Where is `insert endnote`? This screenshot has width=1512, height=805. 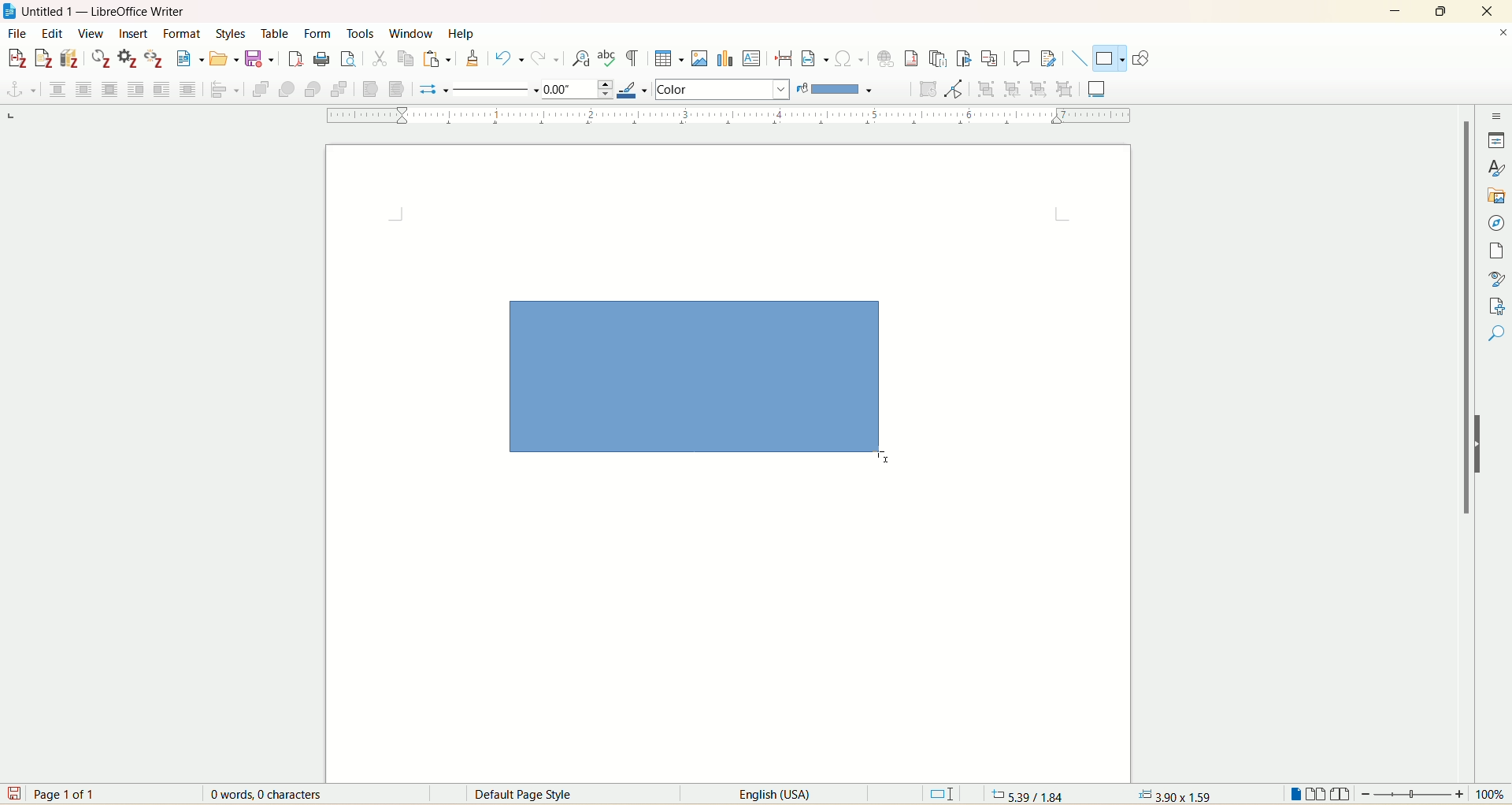 insert endnote is located at coordinates (941, 58).